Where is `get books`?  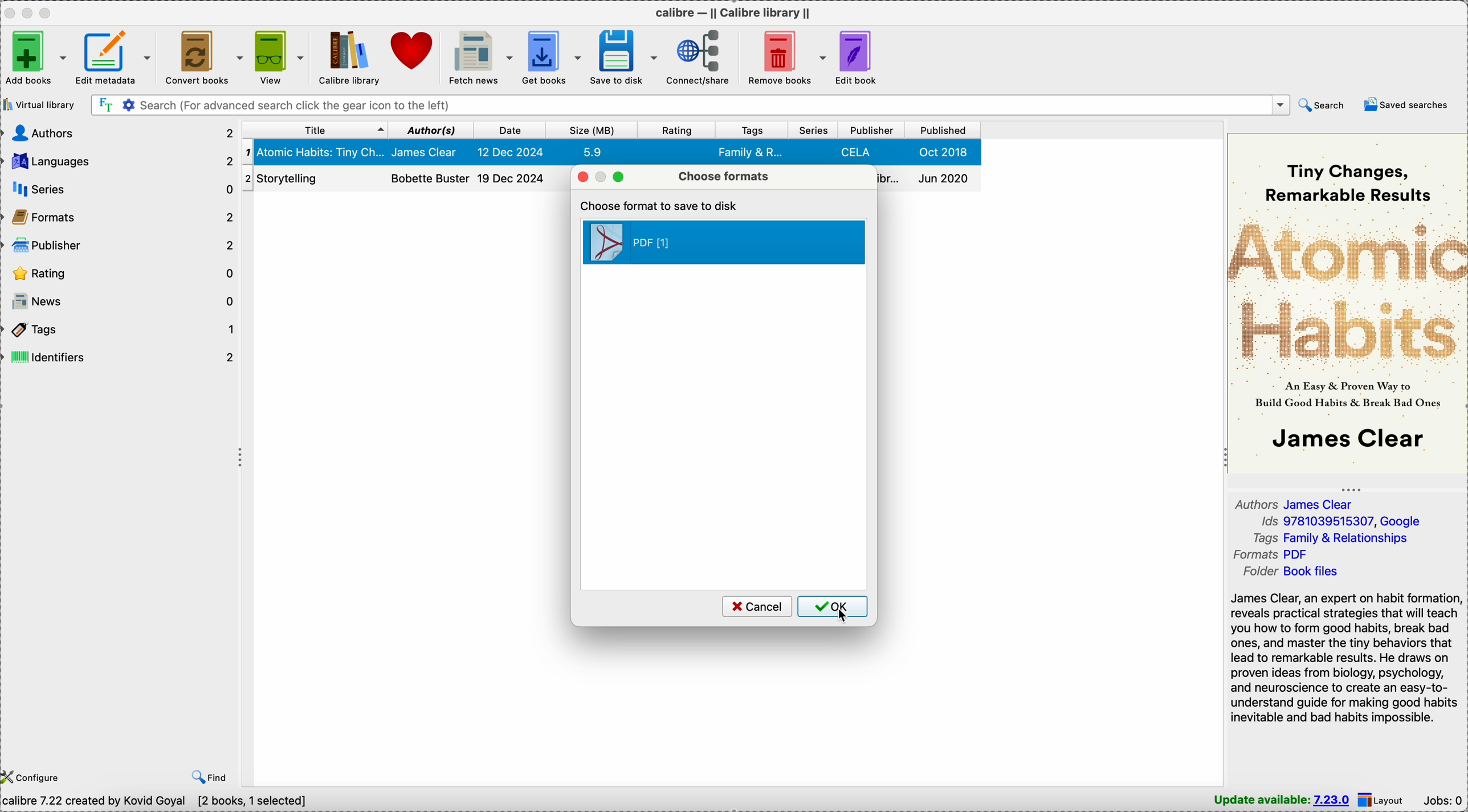
get books is located at coordinates (549, 56).